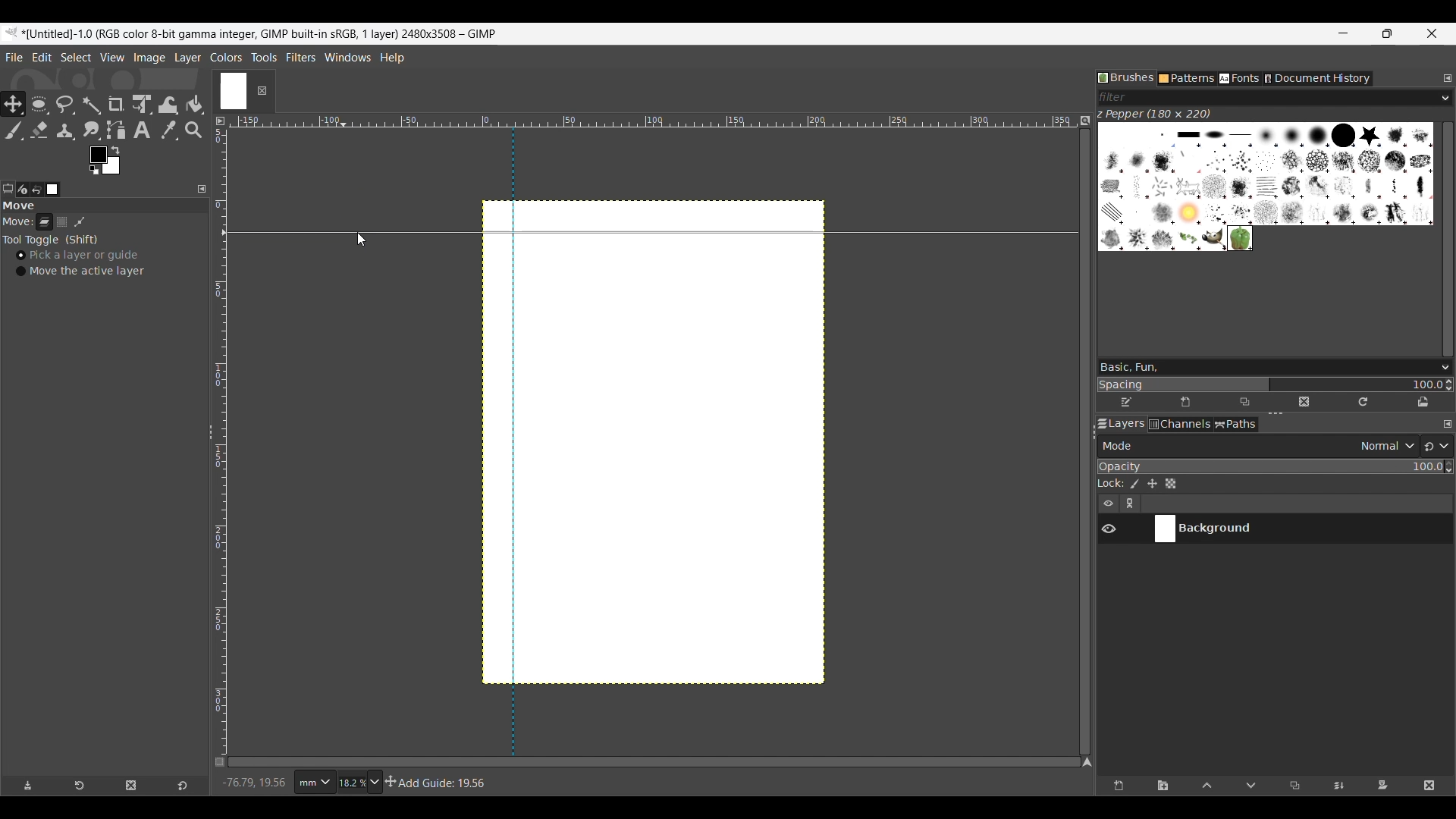  I want to click on Zoom options, so click(376, 783).